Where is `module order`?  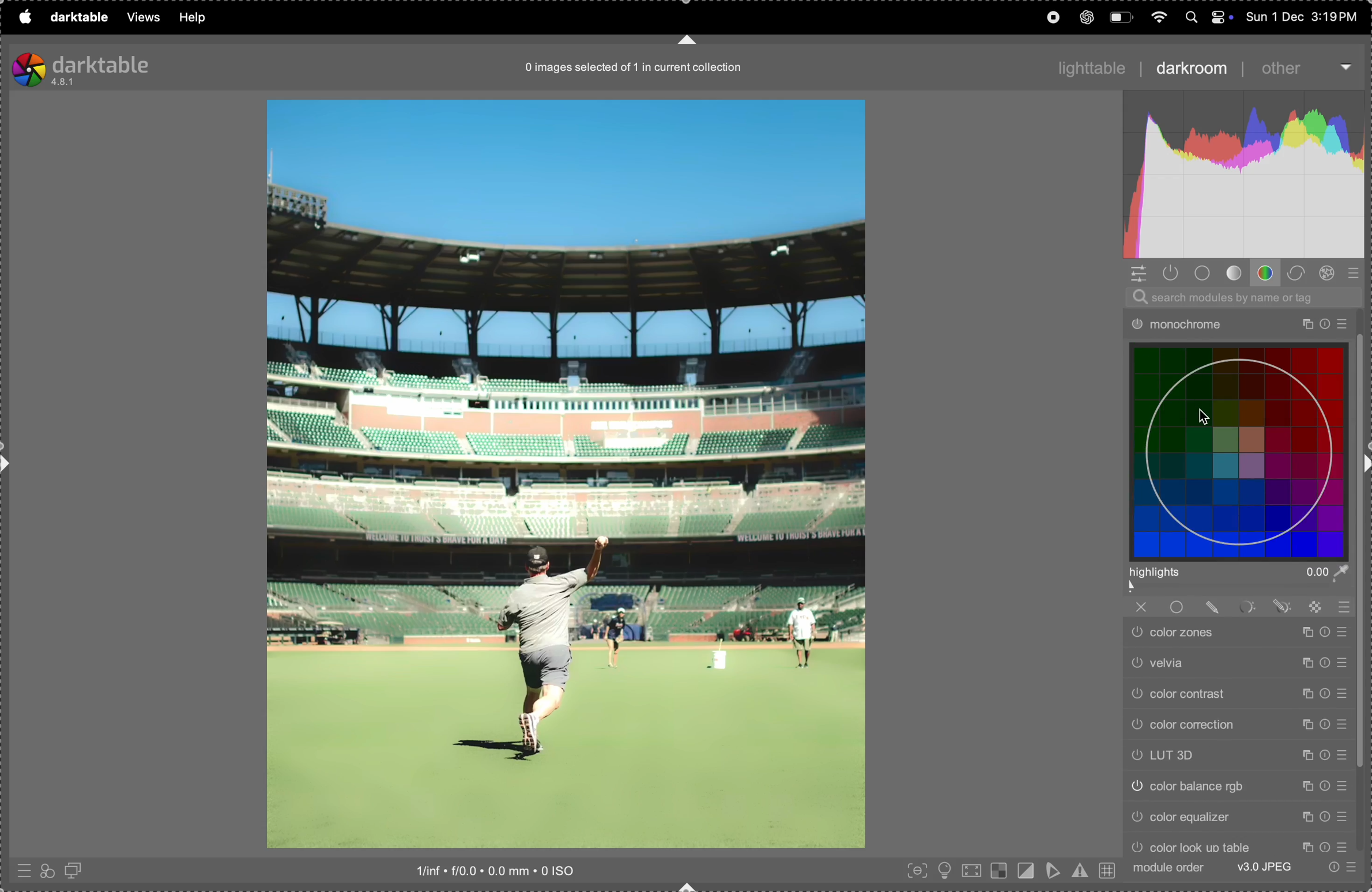 module order is located at coordinates (1168, 867).